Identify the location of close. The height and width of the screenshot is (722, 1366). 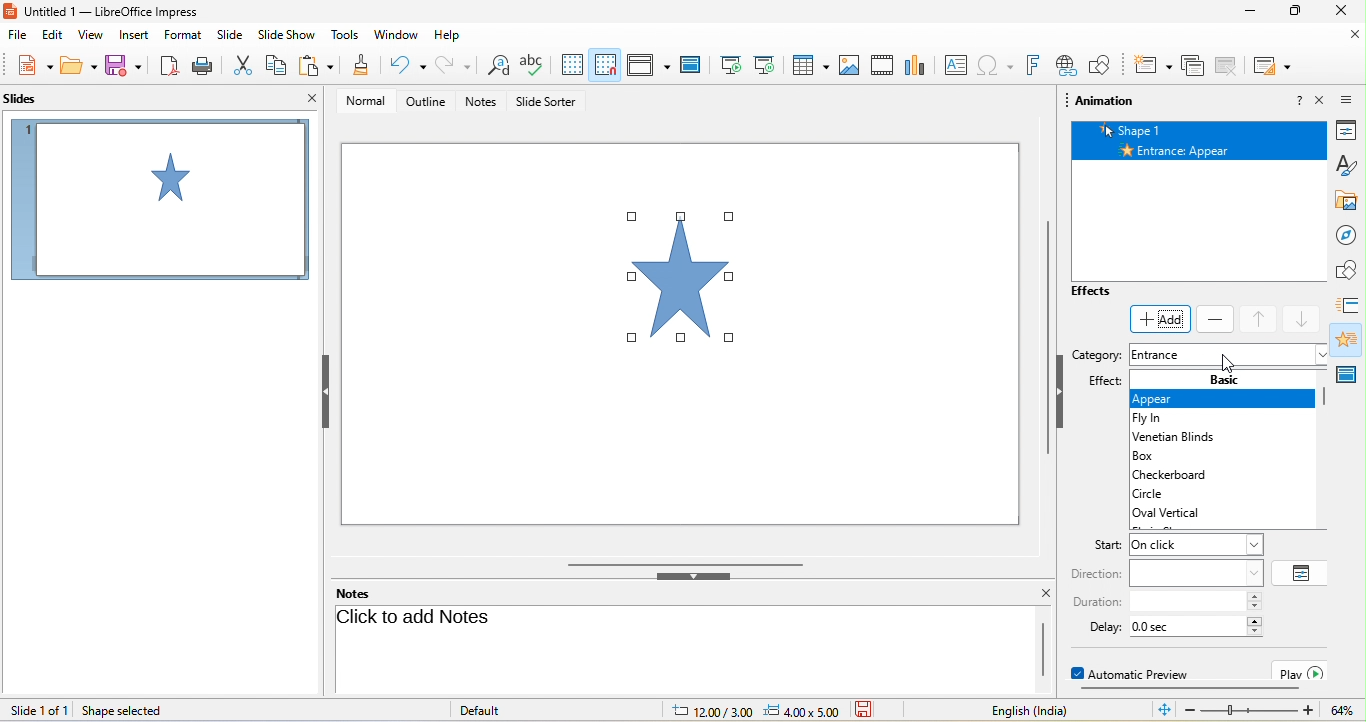
(1345, 10).